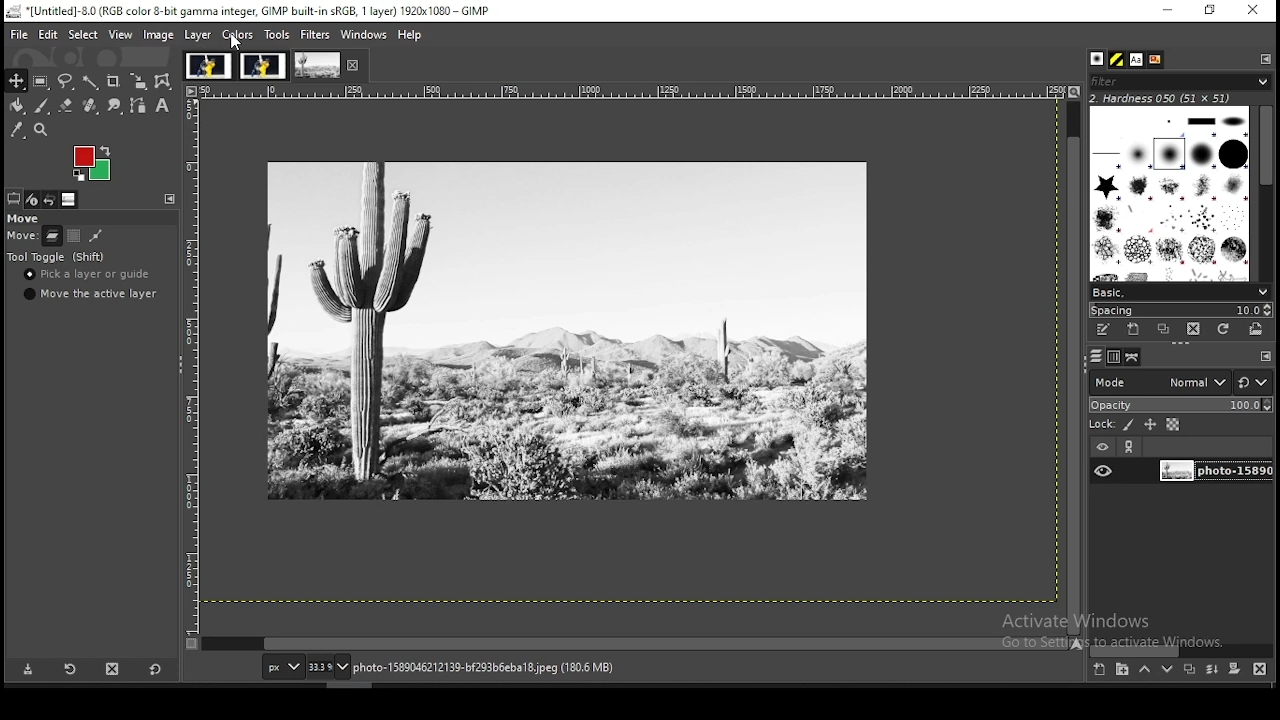 The height and width of the screenshot is (720, 1280). What do you see at coordinates (159, 35) in the screenshot?
I see `image` at bounding box center [159, 35].